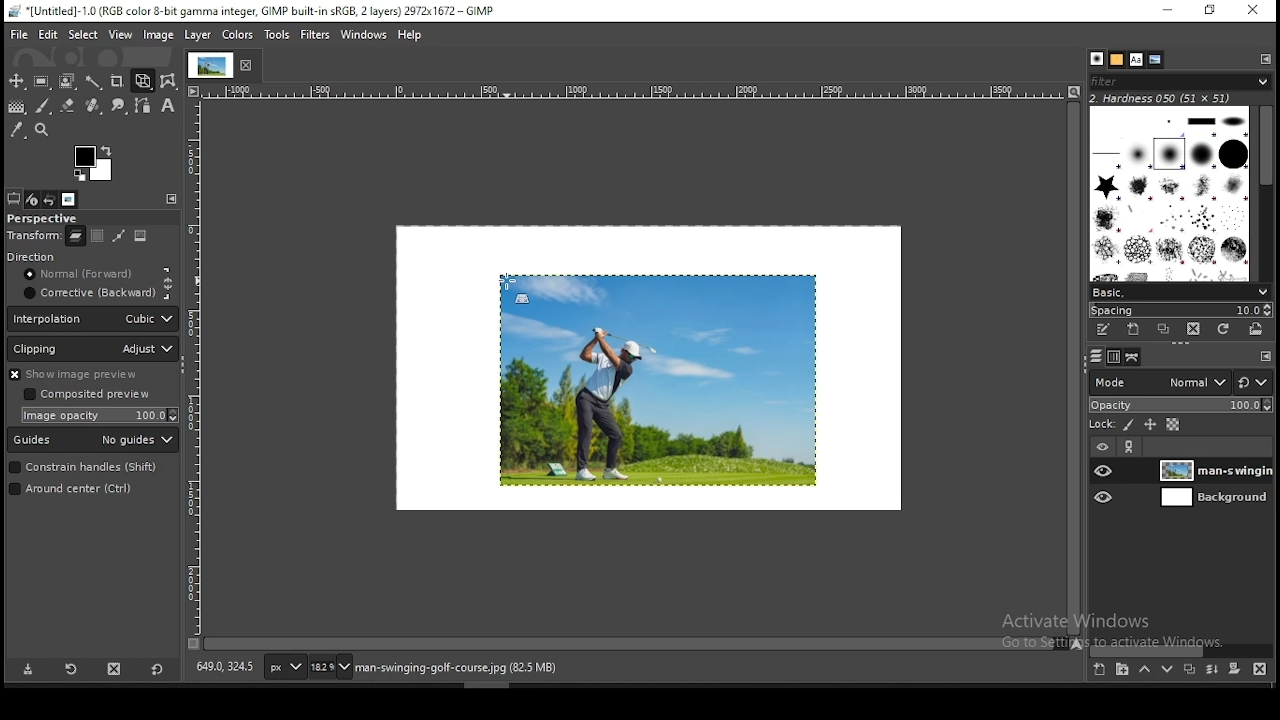  What do you see at coordinates (120, 236) in the screenshot?
I see `selection` at bounding box center [120, 236].